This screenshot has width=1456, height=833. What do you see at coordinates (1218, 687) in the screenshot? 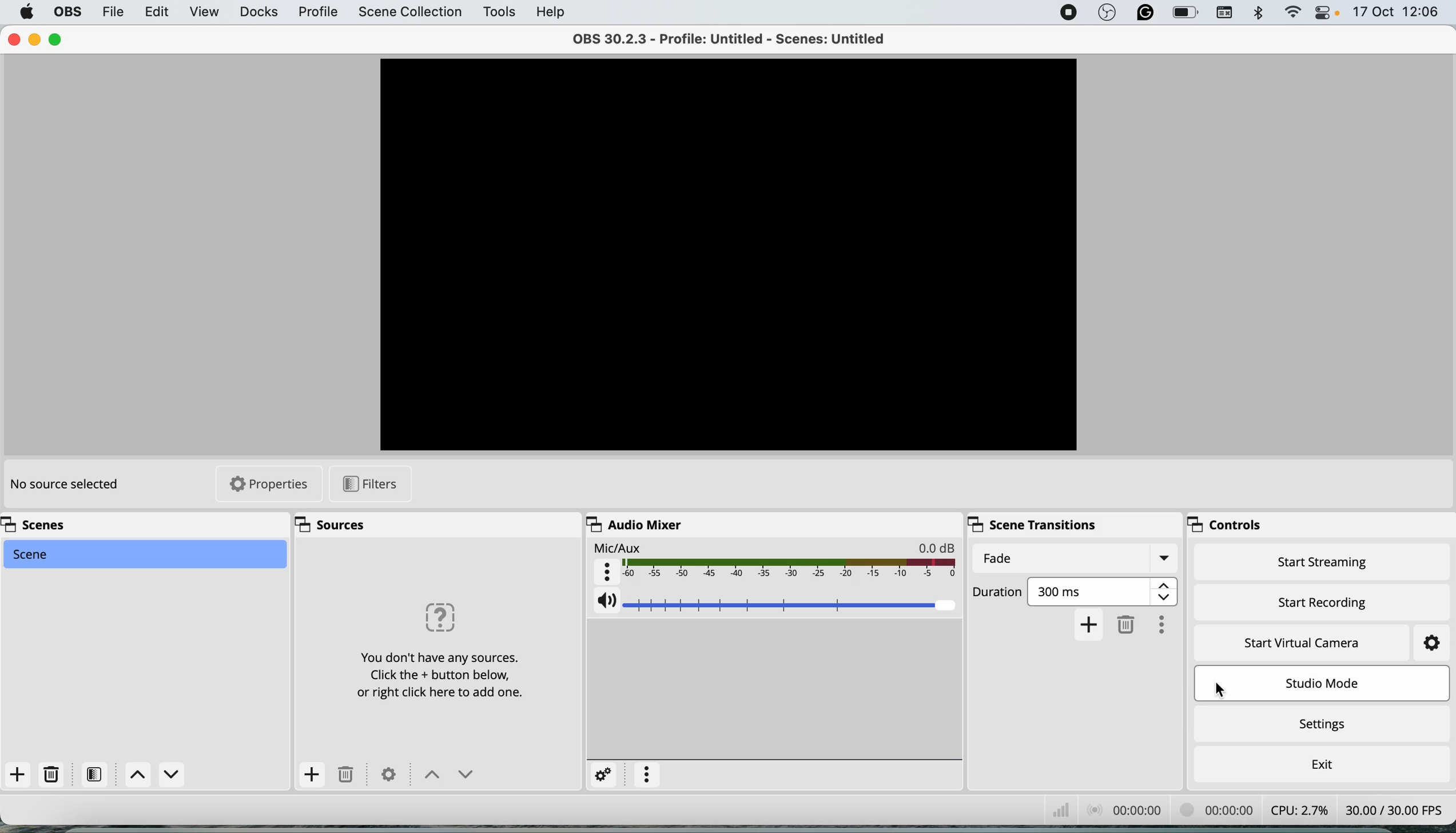
I see `cursor` at bounding box center [1218, 687].